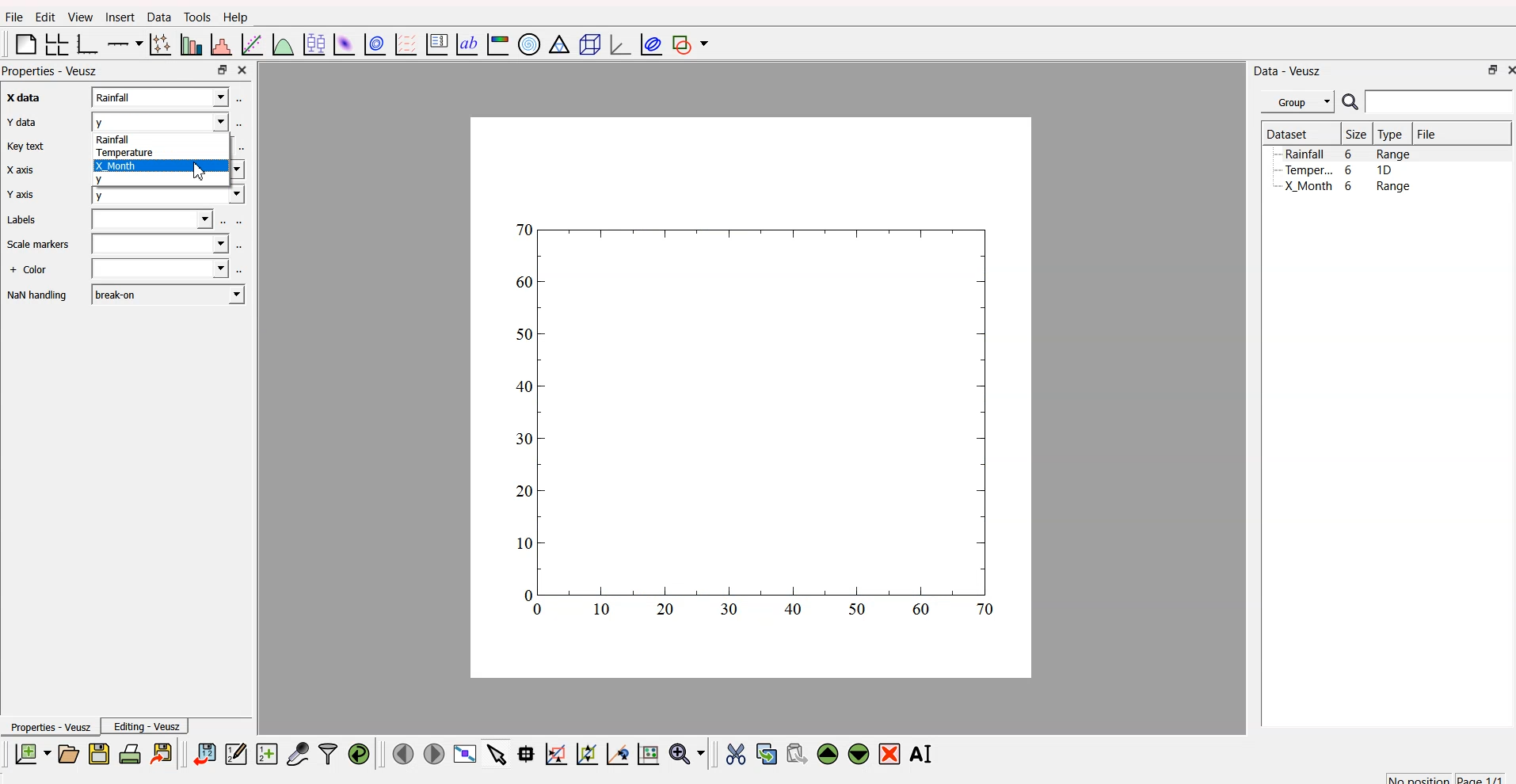 The width and height of the screenshot is (1516, 784). What do you see at coordinates (314, 43) in the screenshot?
I see `plot box plots` at bounding box center [314, 43].